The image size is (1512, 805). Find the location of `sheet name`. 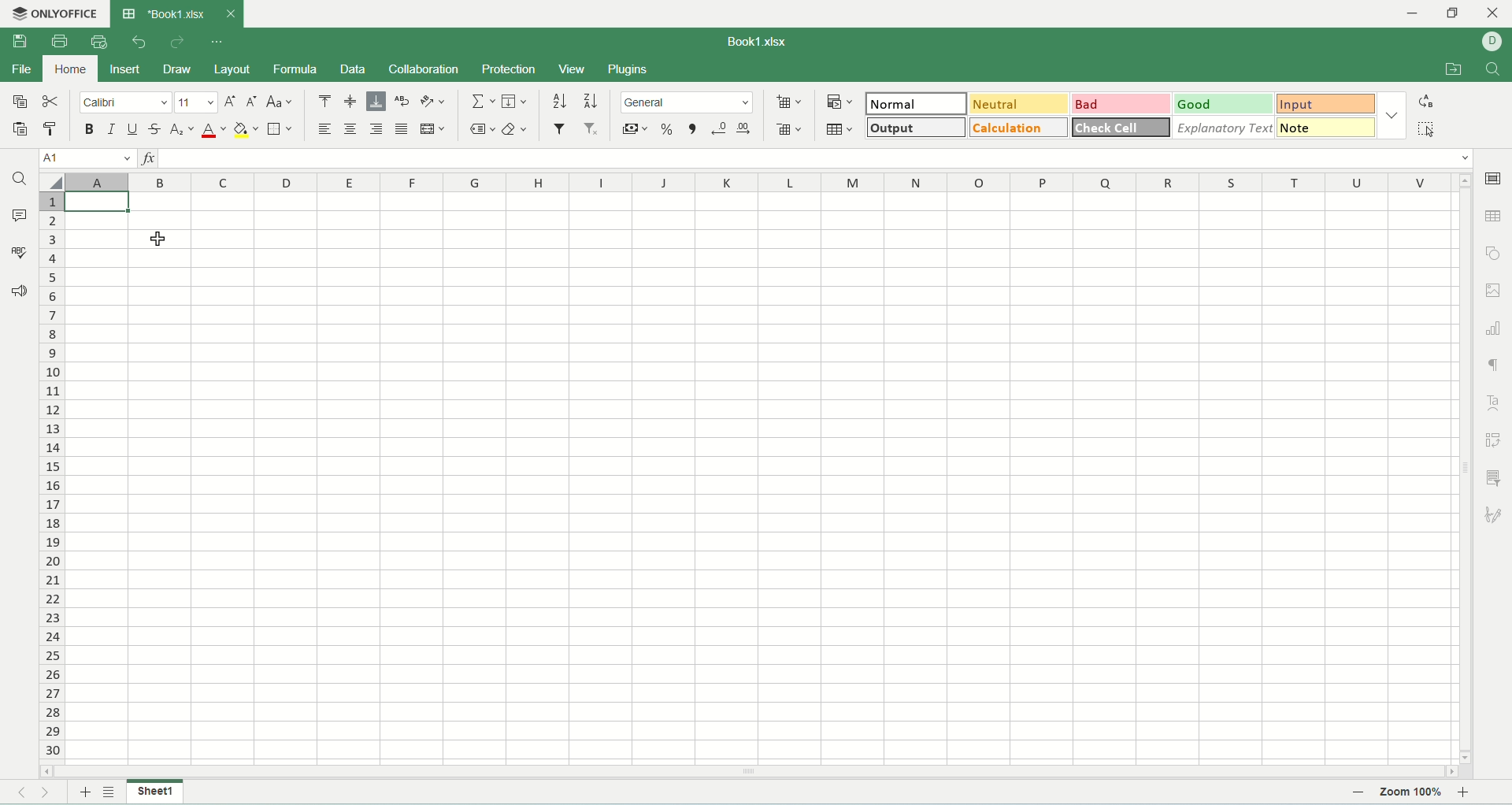

sheet name is located at coordinates (155, 792).